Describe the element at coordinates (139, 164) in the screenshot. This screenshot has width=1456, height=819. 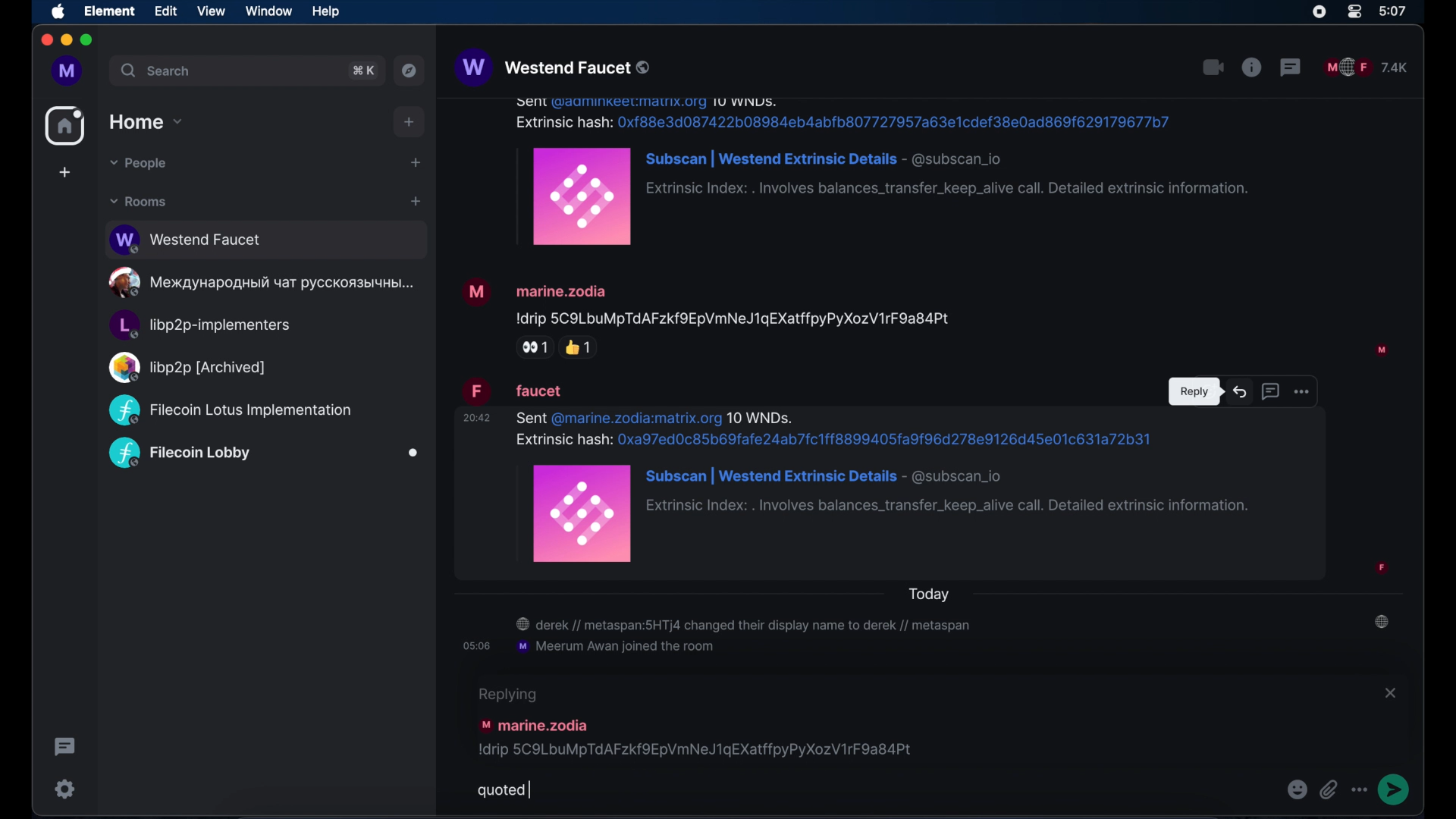
I see `people dropdown` at that location.